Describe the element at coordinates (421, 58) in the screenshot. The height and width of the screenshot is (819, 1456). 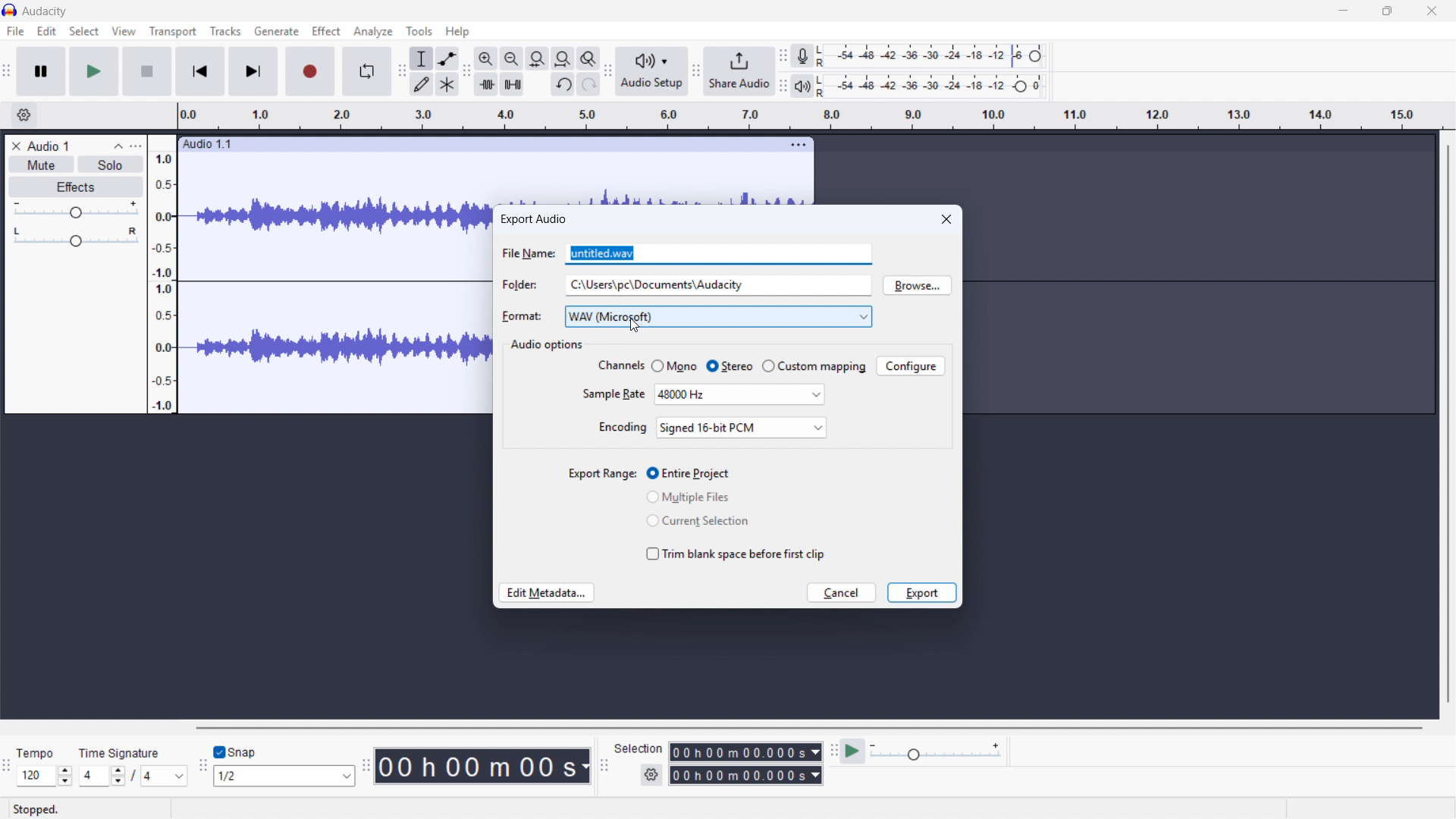
I see `Selection tool ` at that location.